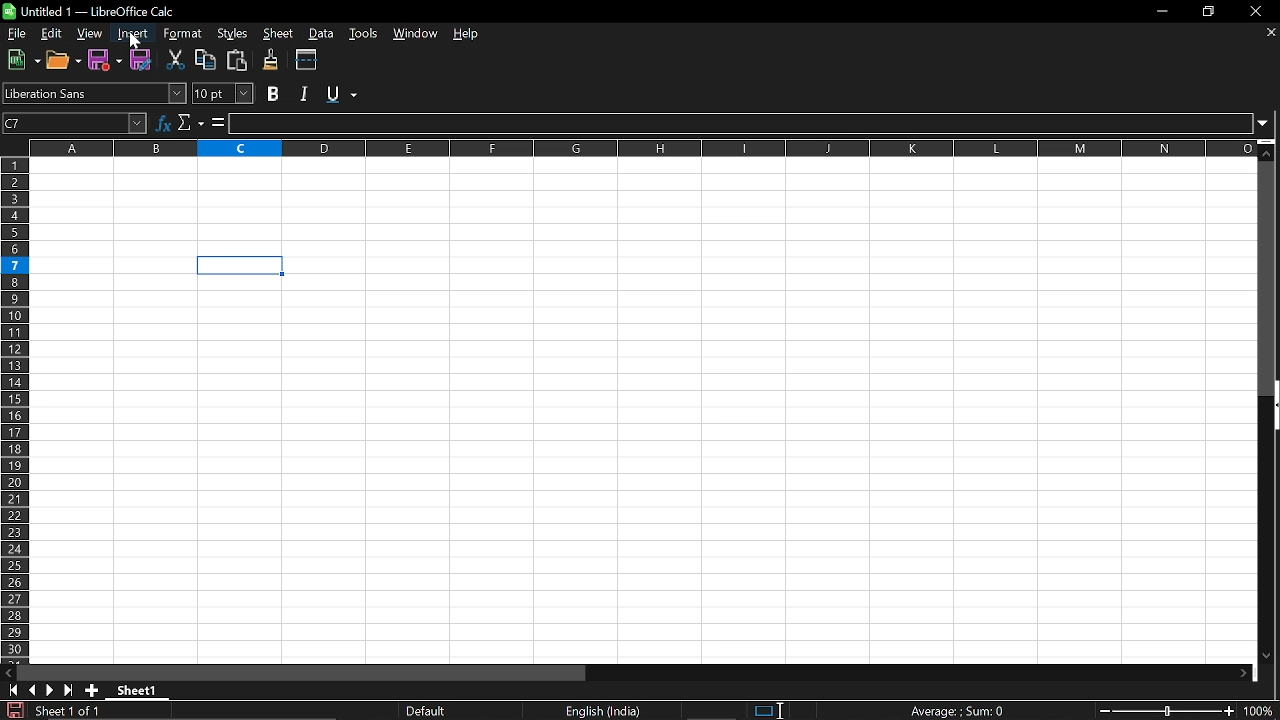 Image resolution: width=1280 pixels, height=720 pixels. Describe the element at coordinates (142, 61) in the screenshot. I see `Save as` at that location.